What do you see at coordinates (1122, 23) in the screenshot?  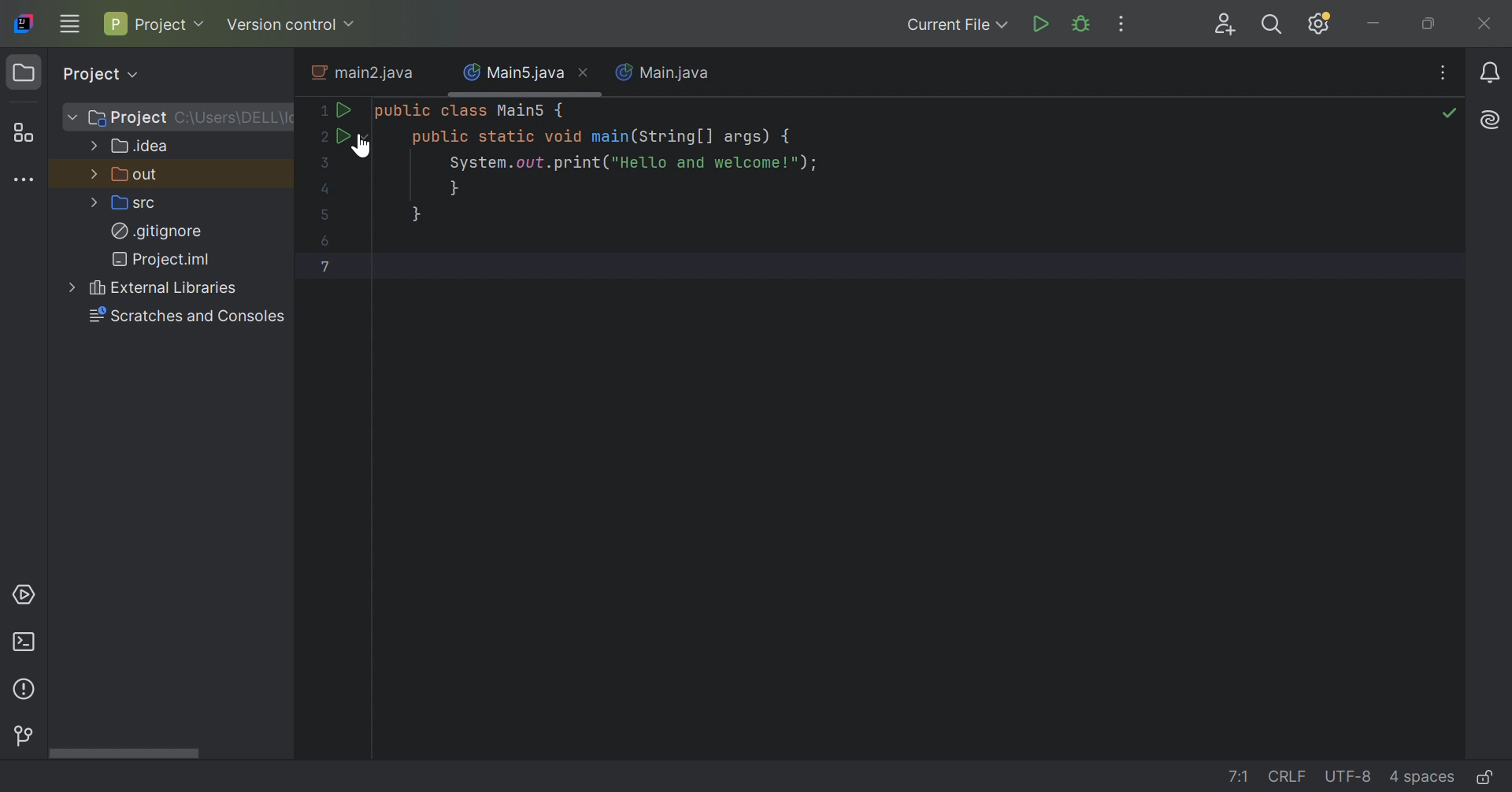 I see `More actions` at bounding box center [1122, 23].